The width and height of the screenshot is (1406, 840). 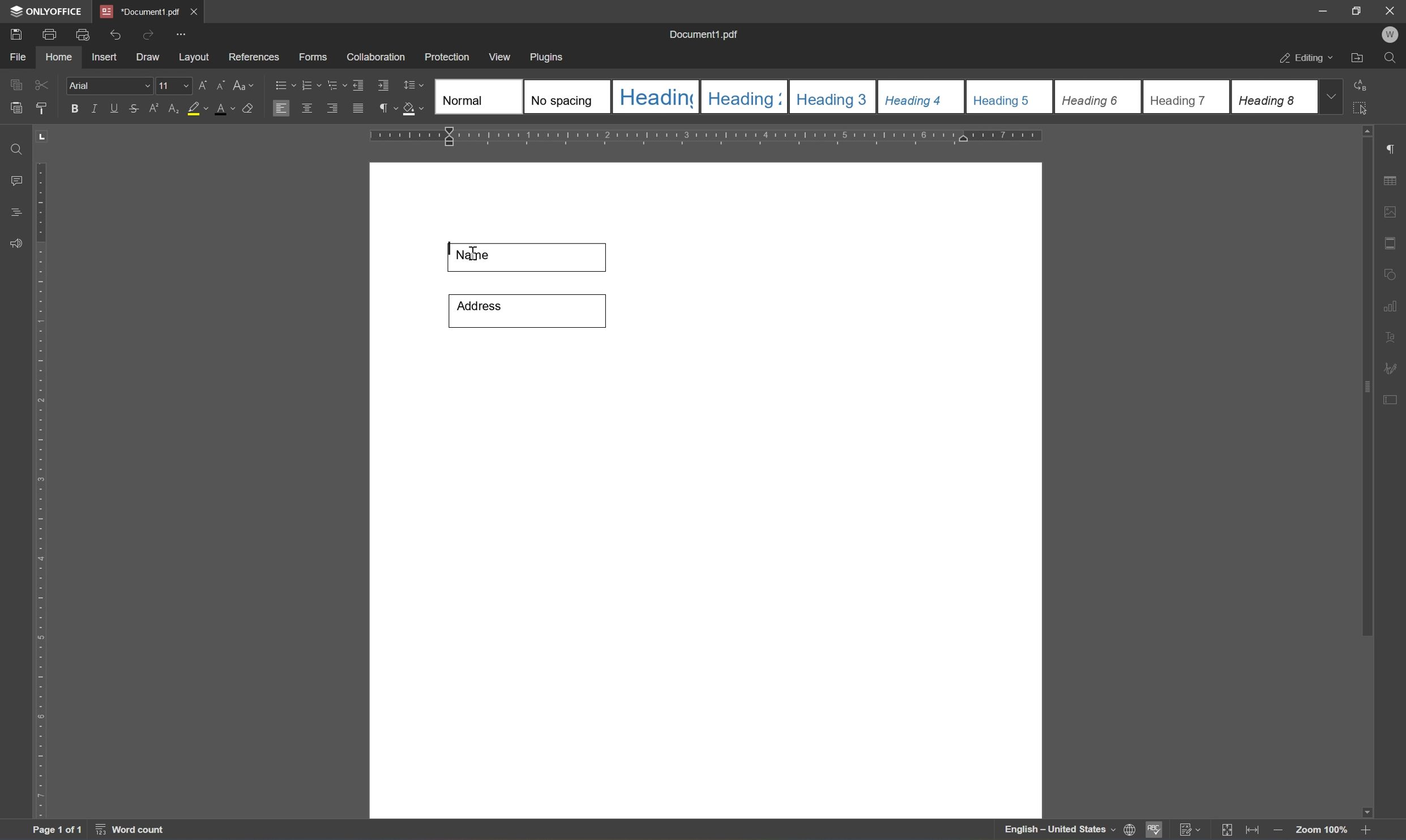 I want to click on minimize, so click(x=1323, y=10).